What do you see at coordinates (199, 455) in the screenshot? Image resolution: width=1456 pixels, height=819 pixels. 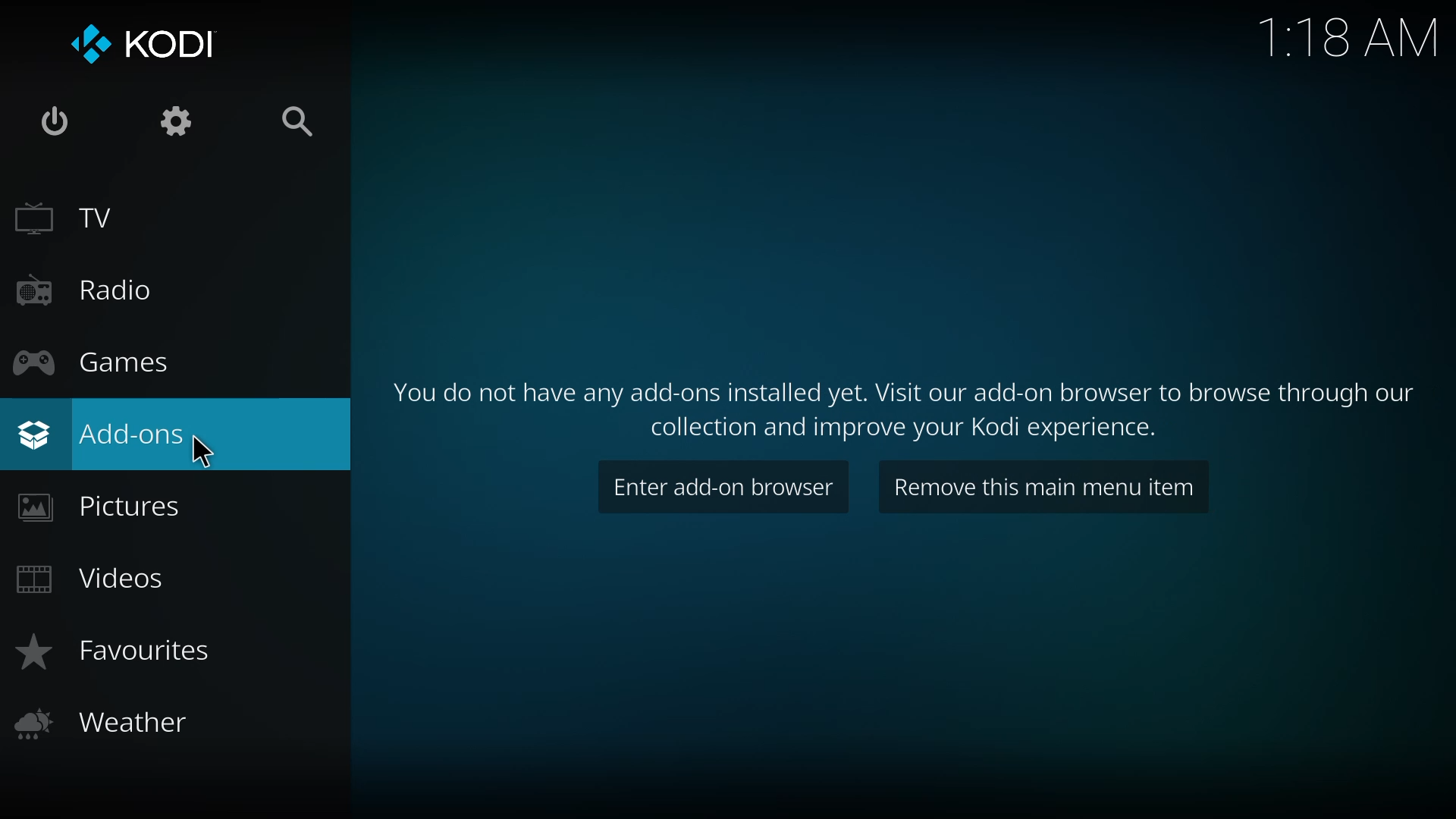 I see `cursor` at bounding box center [199, 455].